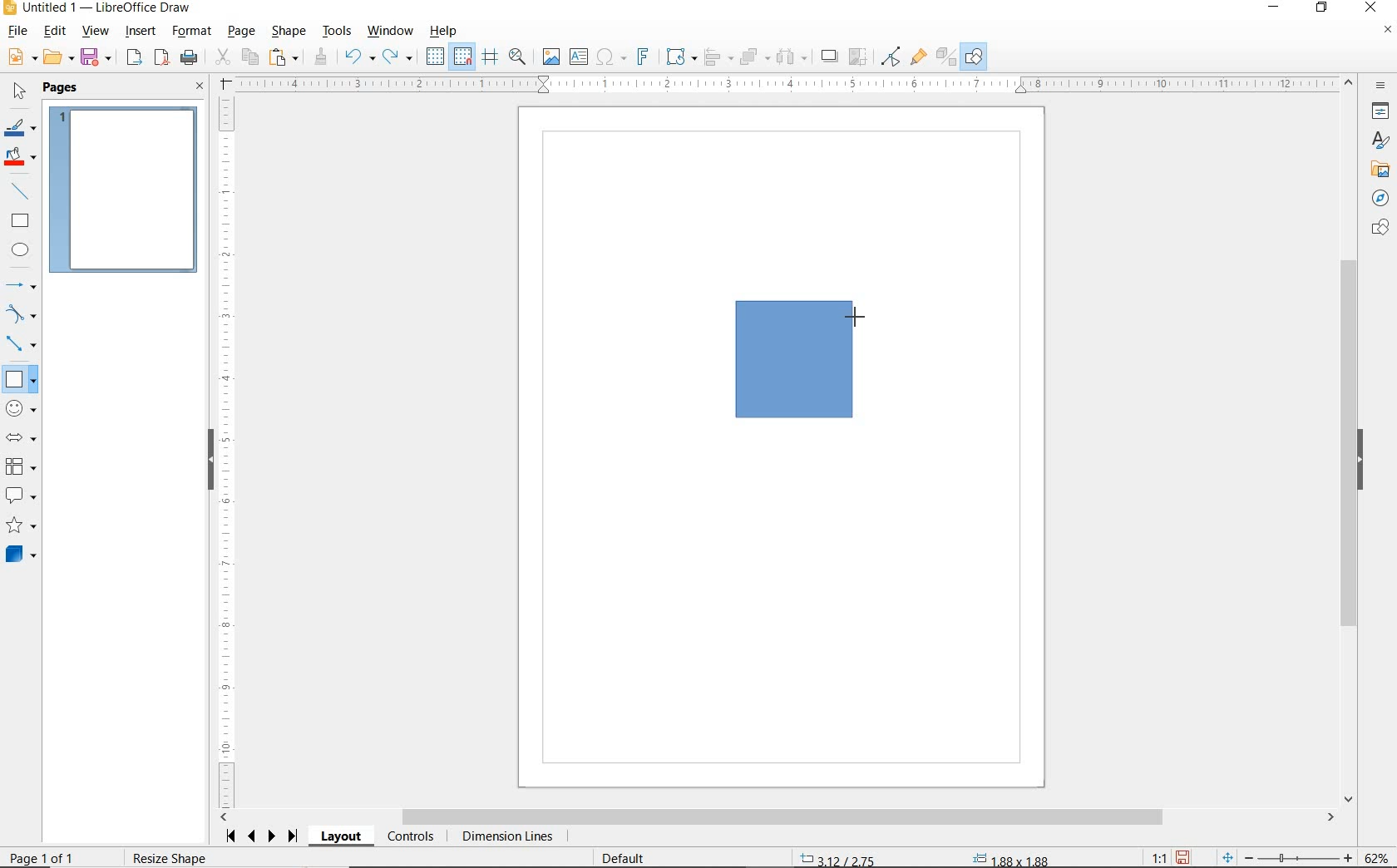 The height and width of the screenshot is (868, 1397). What do you see at coordinates (21, 345) in the screenshot?
I see `CONNECTORS` at bounding box center [21, 345].